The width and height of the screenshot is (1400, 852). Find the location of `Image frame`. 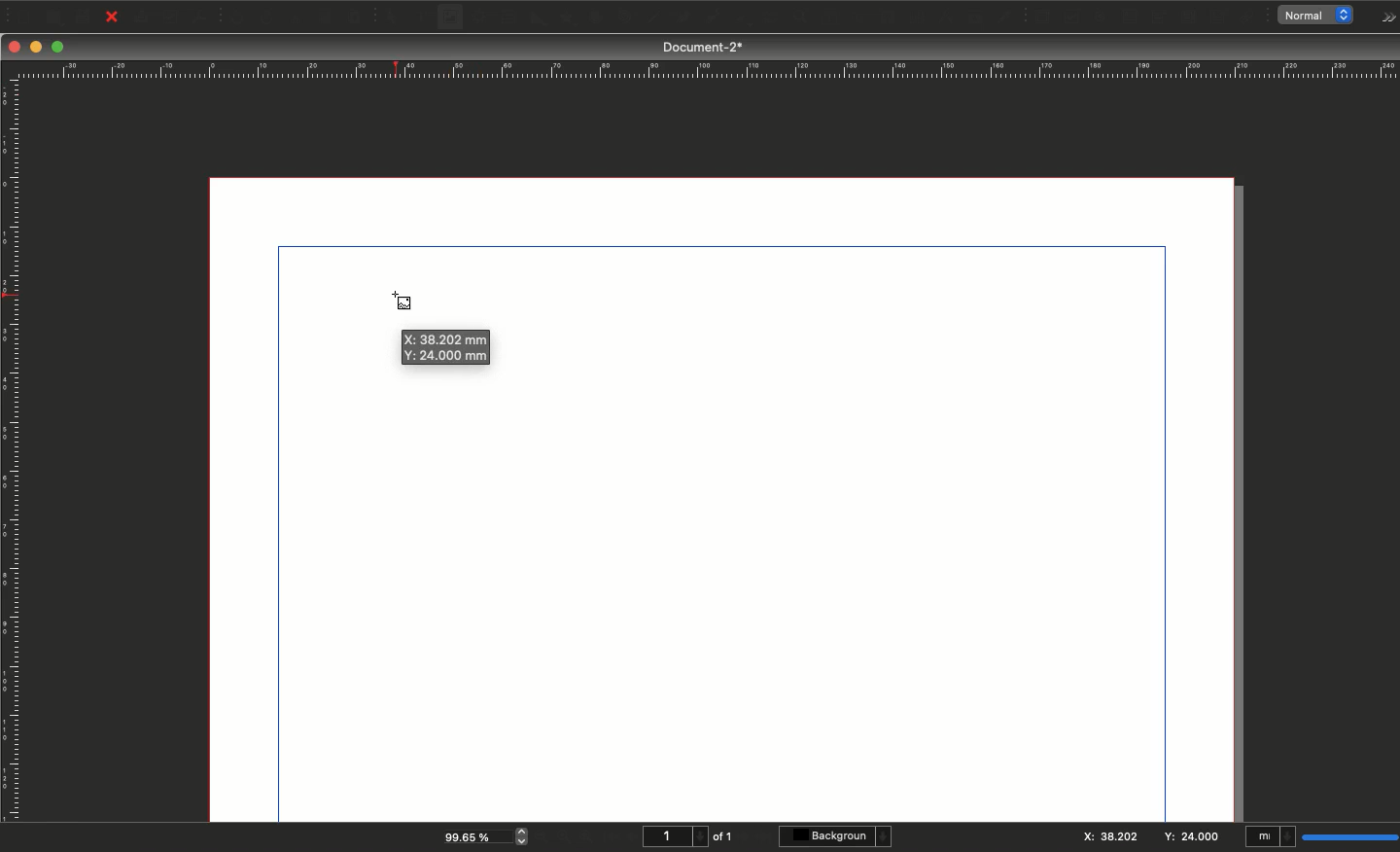

Image frame is located at coordinates (453, 19).